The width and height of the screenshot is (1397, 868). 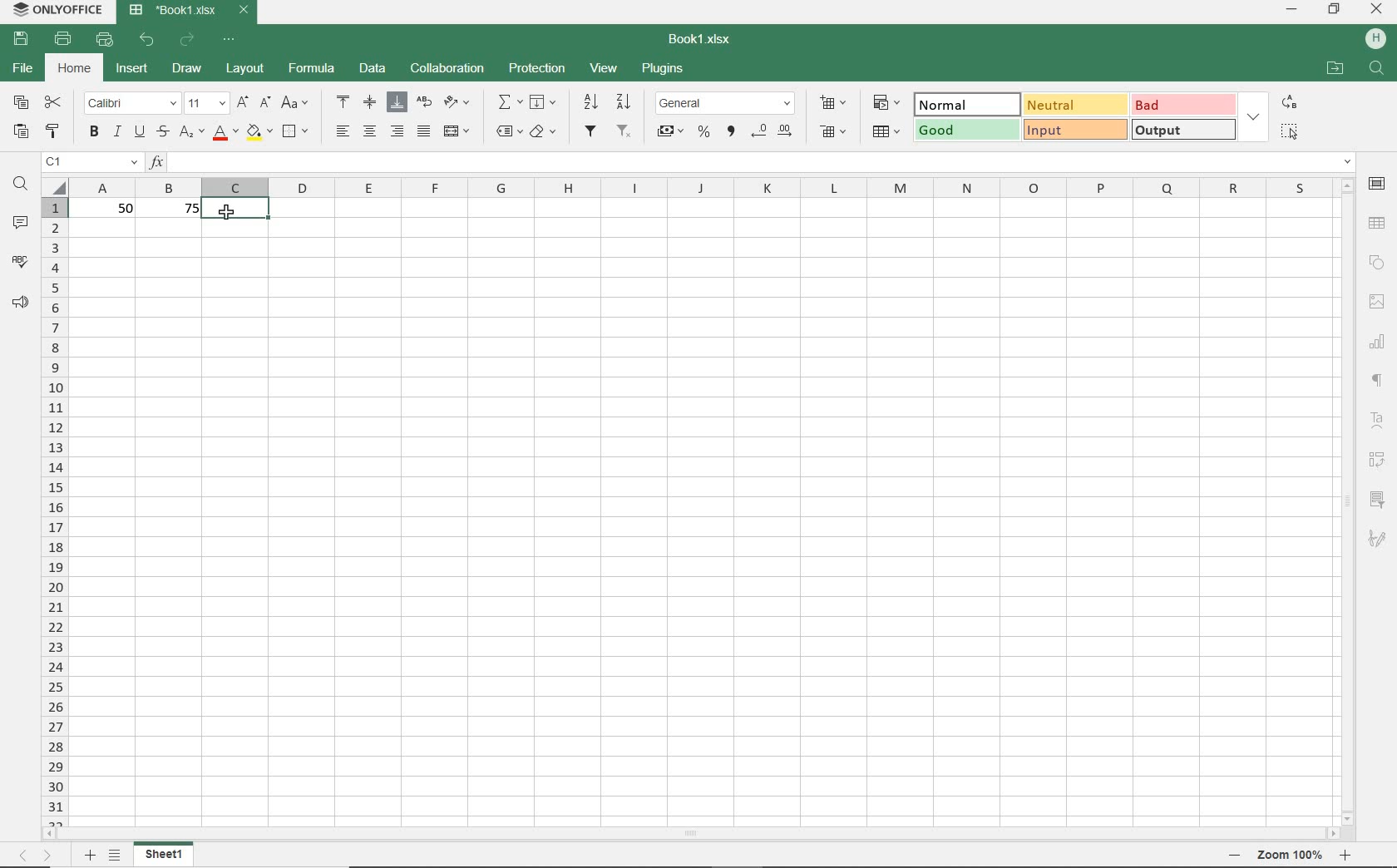 I want to click on selected cell, so click(x=236, y=210).